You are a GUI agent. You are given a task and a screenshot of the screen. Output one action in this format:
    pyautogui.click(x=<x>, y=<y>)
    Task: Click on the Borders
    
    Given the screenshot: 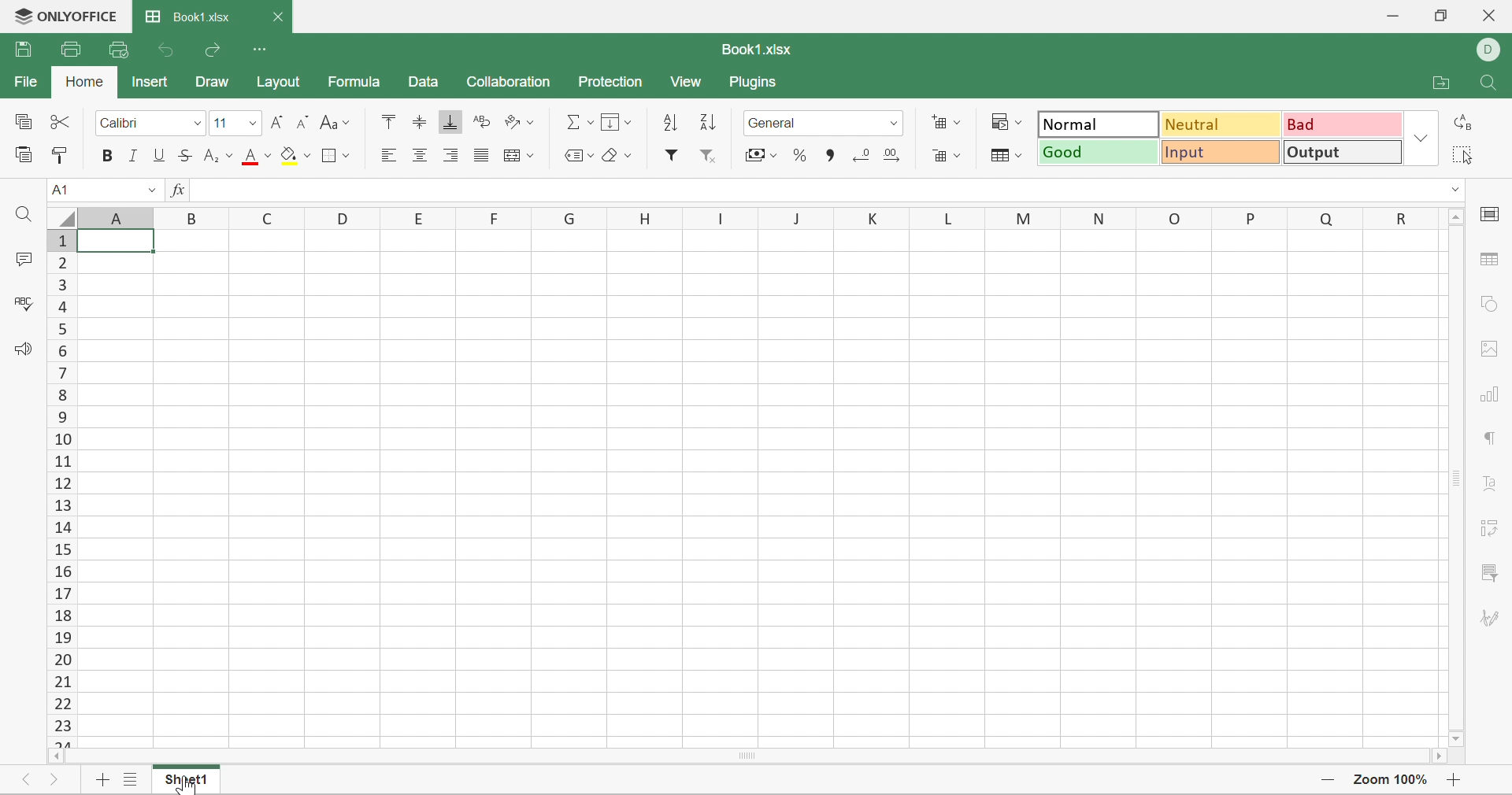 What is the action you would take?
    pyautogui.click(x=337, y=155)
    